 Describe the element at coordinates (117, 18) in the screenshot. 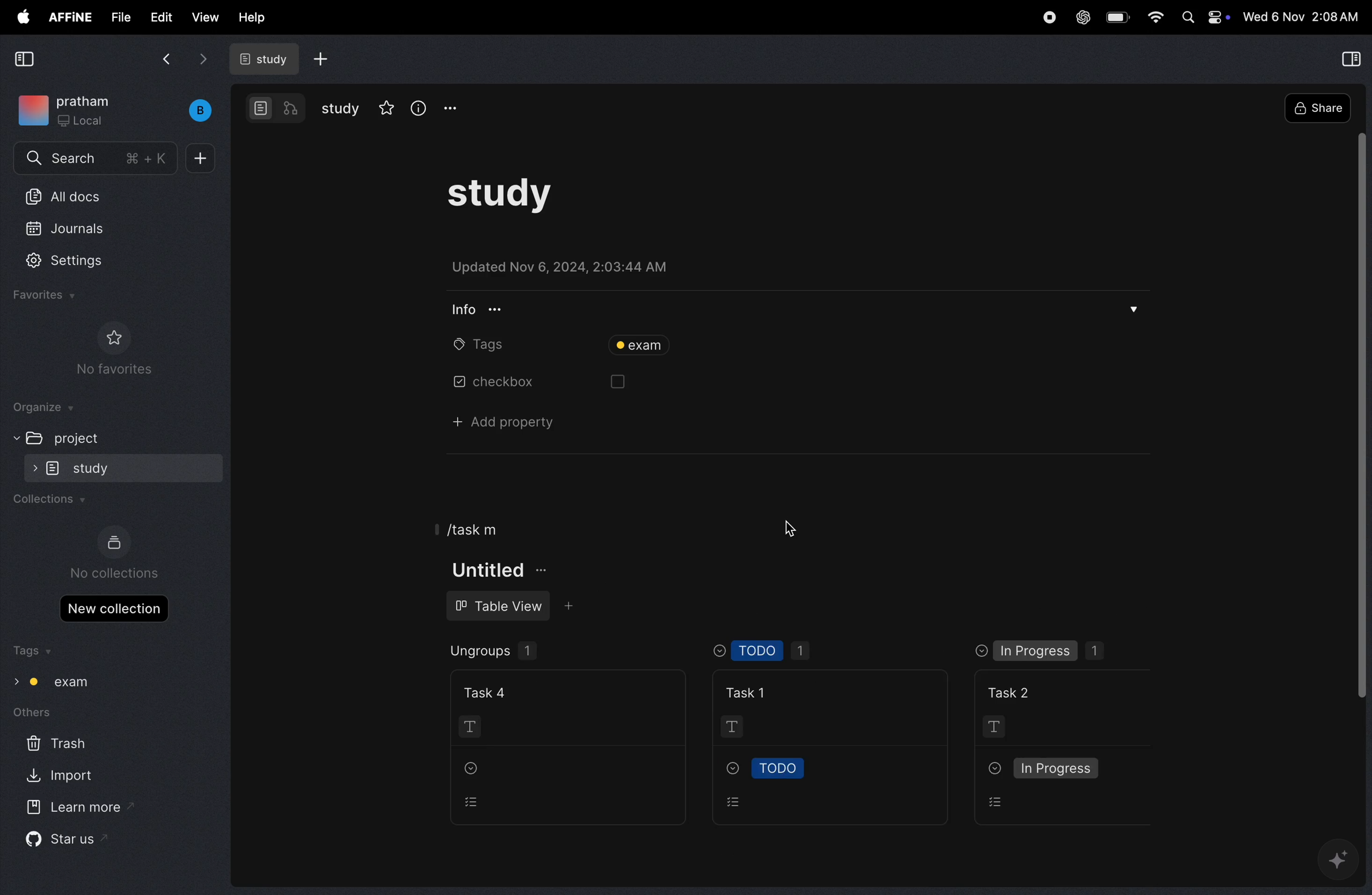

I see `file` at that location.